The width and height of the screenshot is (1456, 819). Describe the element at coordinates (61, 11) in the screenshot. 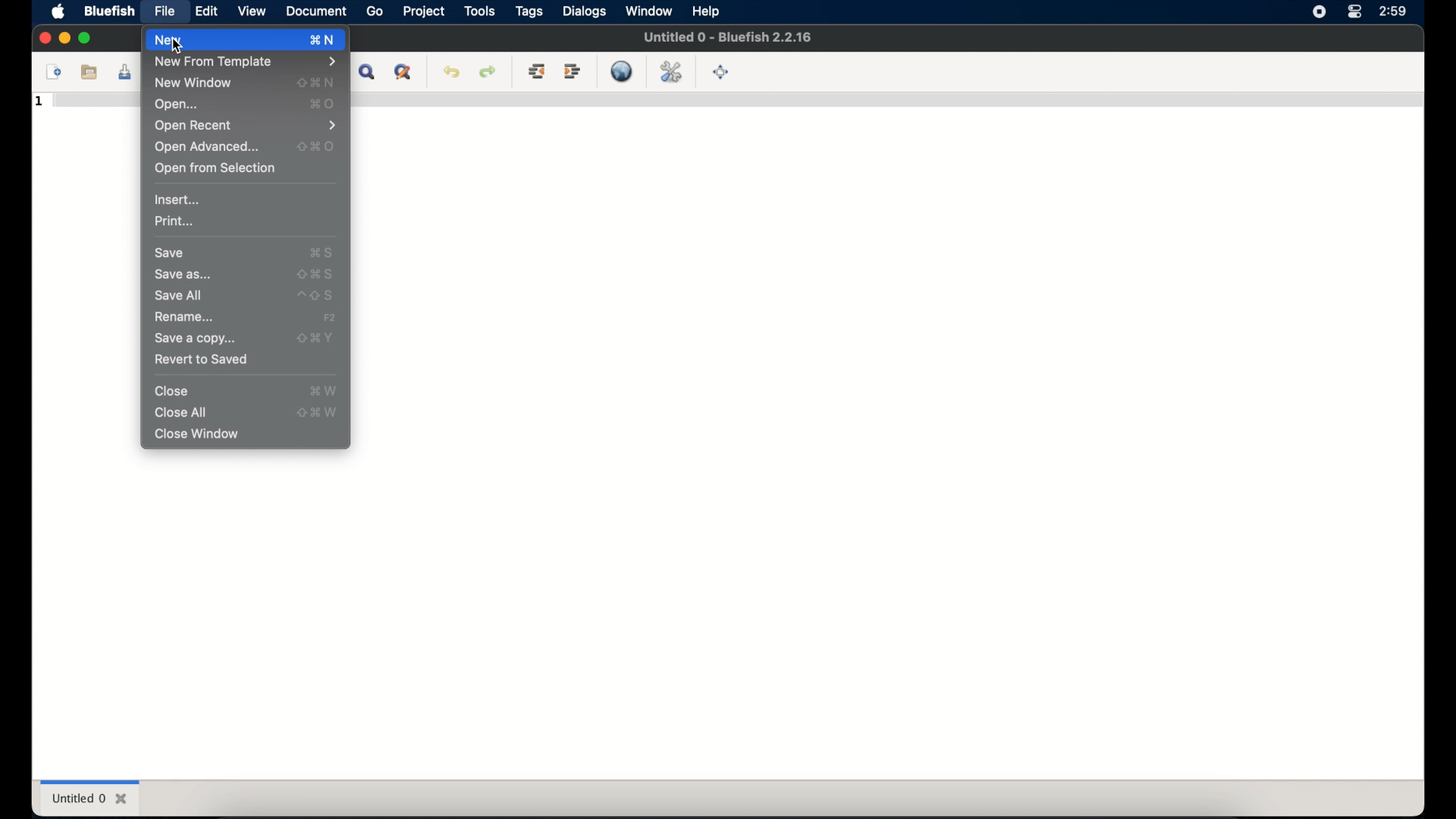

I see `apple icon` at that location.